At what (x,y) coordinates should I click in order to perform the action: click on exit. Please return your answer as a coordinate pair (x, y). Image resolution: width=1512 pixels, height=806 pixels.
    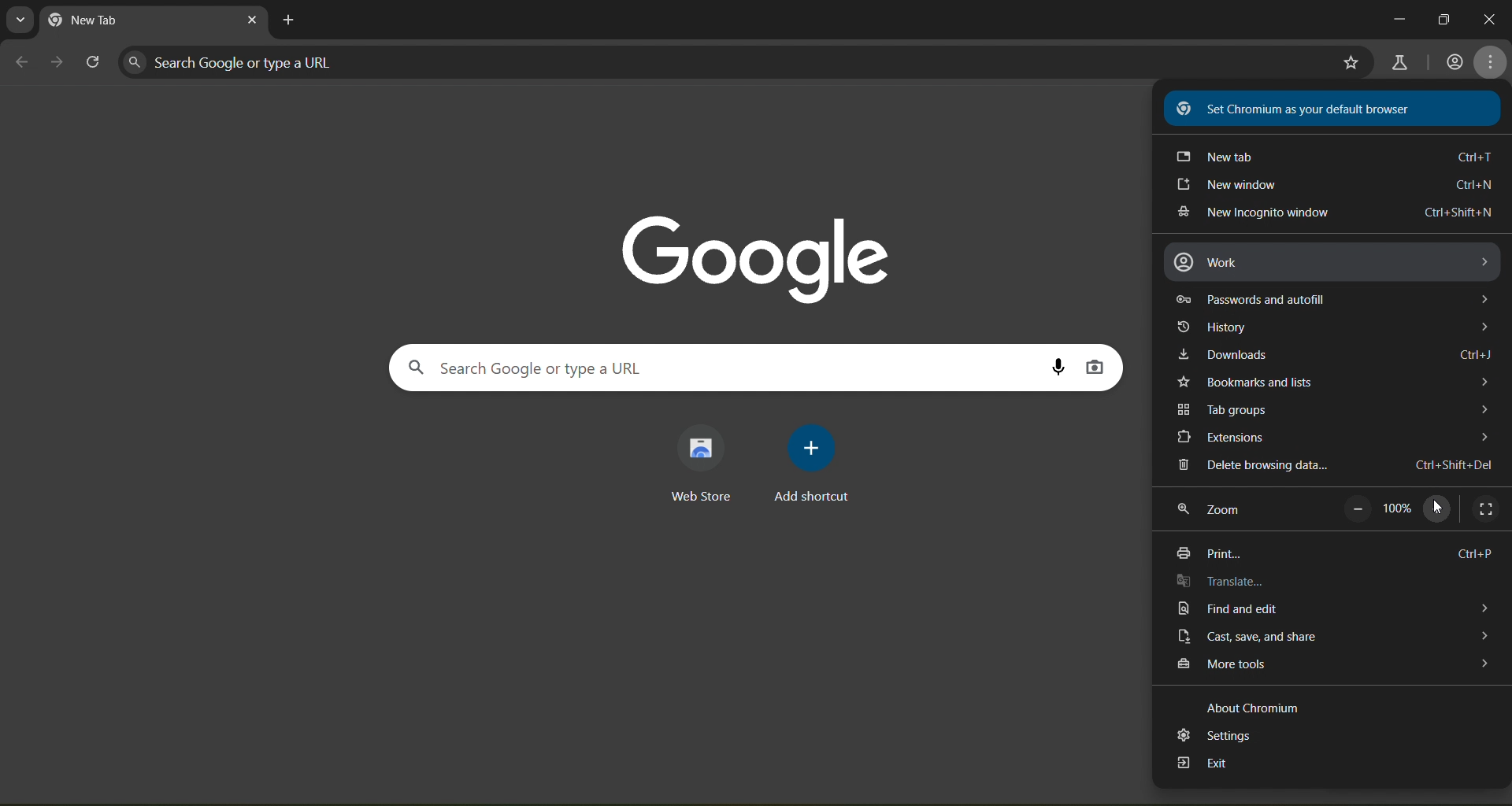
    Looking at the image, I should click on (1203, 766).